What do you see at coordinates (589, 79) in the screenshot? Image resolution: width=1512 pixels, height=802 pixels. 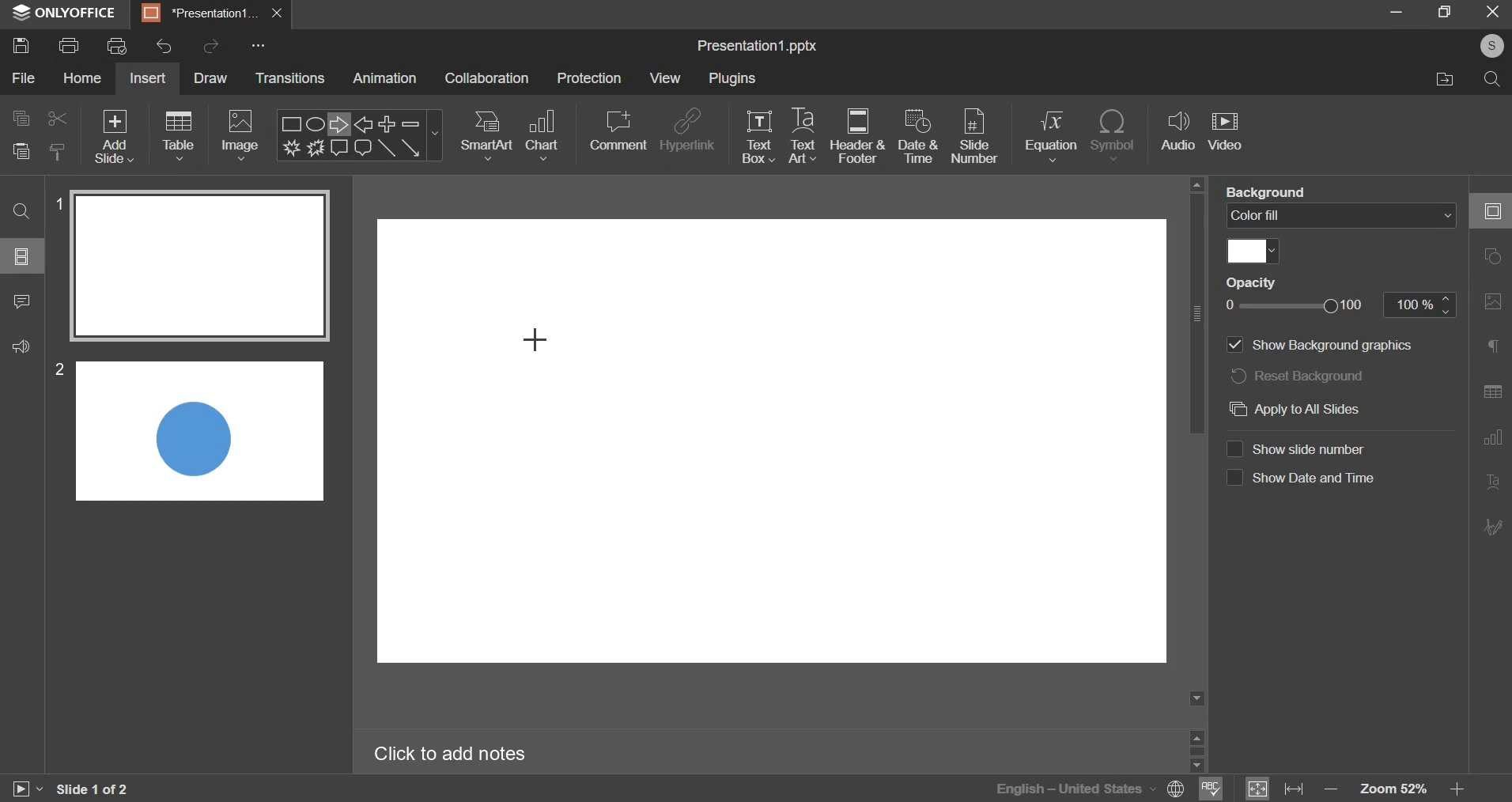 I see `protection` at bounding box center [589, 79].